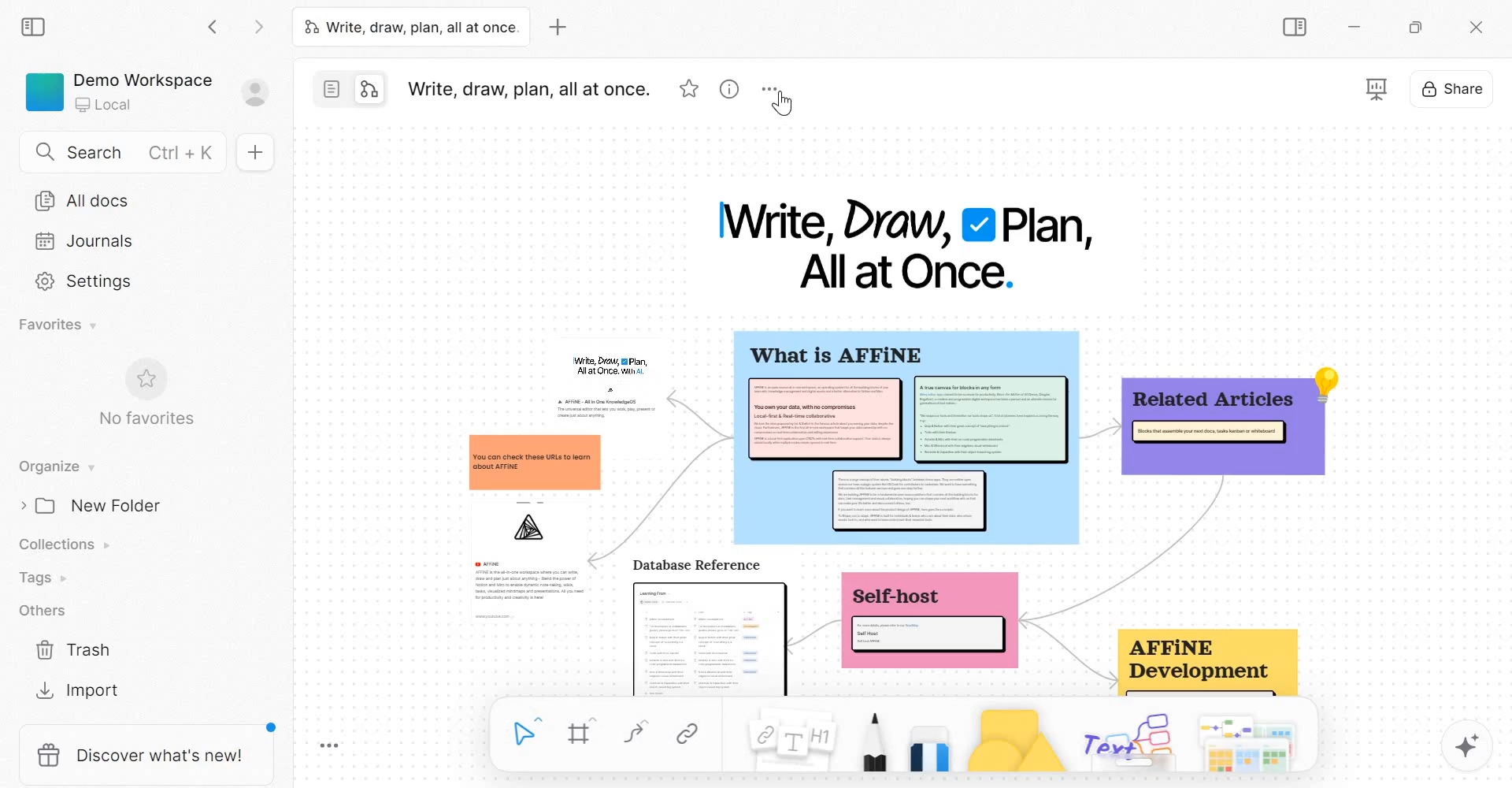 This screenshot has width=1512, height=788. Describe the element at coordinates (43, 576) in the screenshot. I see `Tags` at that location.